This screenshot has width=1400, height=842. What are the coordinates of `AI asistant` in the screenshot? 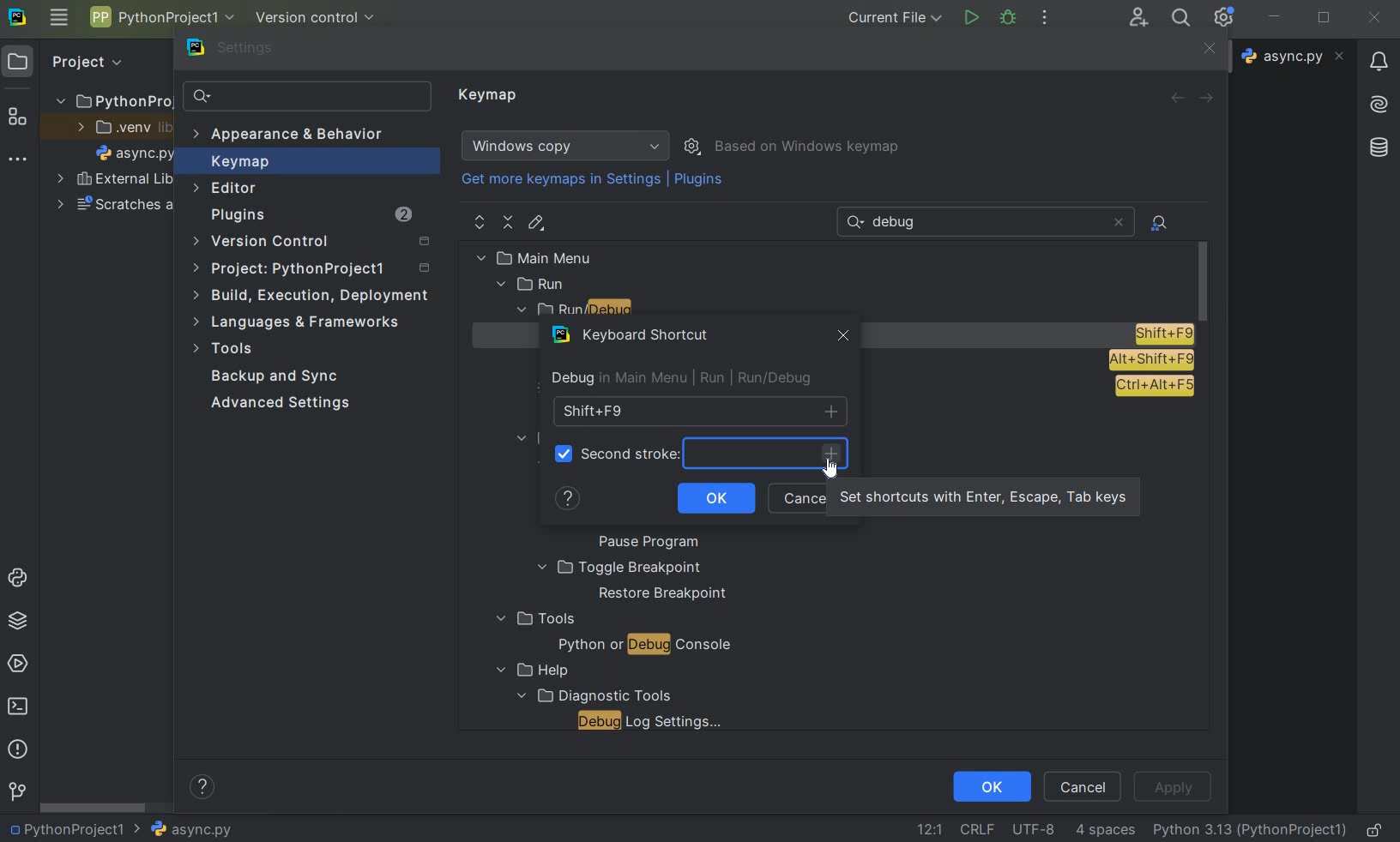 It's located at (1377, 99).